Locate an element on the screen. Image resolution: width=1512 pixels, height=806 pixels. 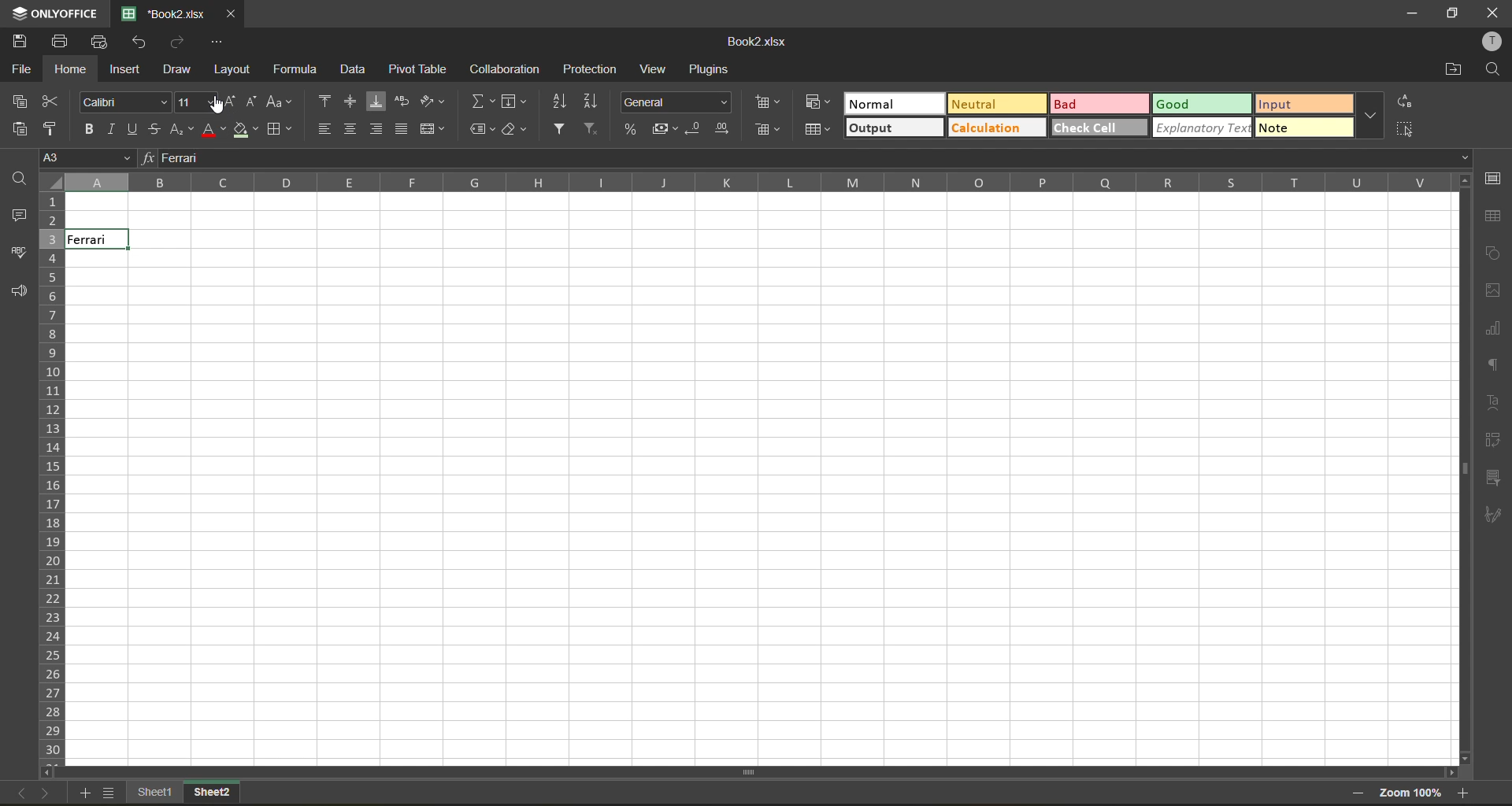
next is located at coordinates (49, 795).